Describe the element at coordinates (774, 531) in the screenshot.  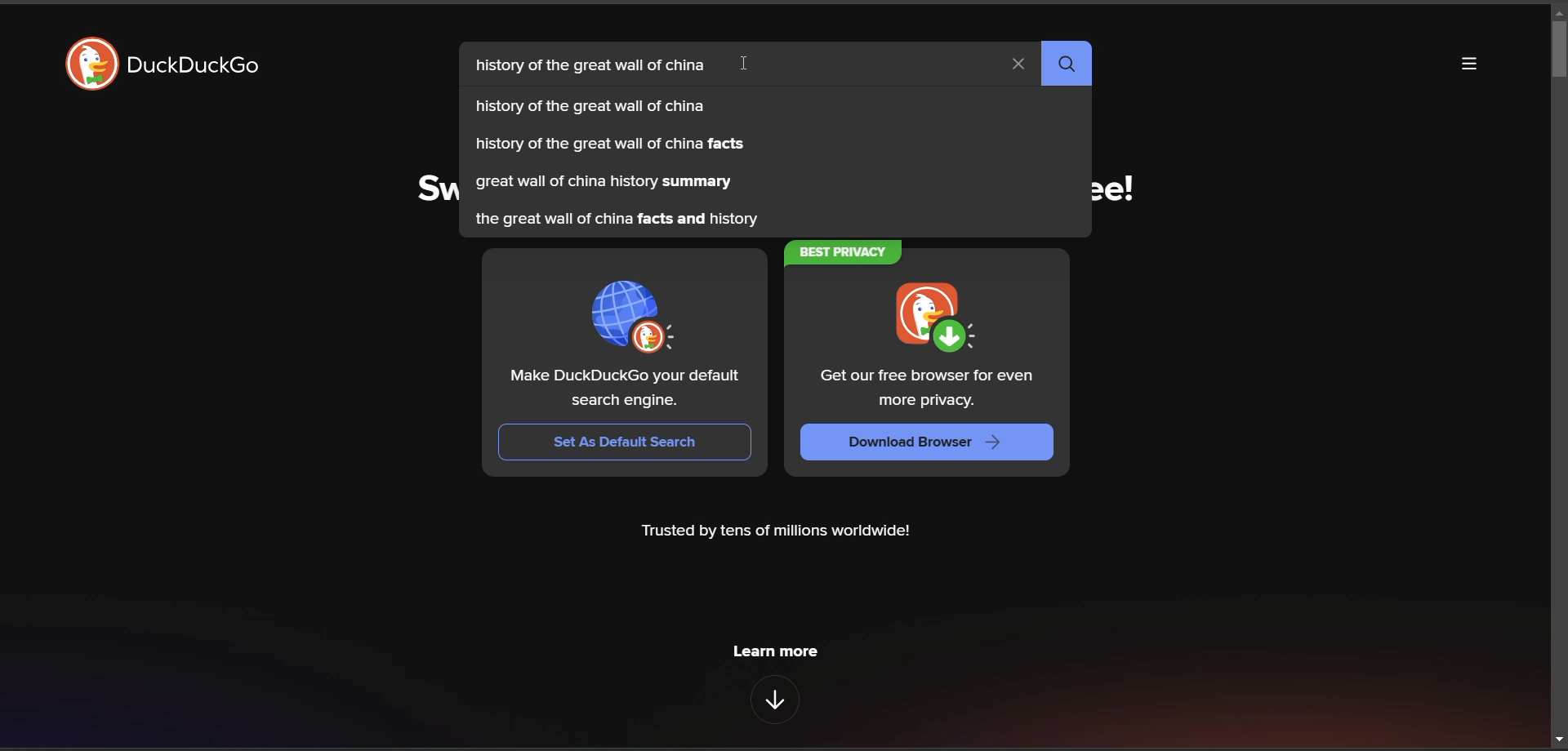
I see `metadata` at that location.